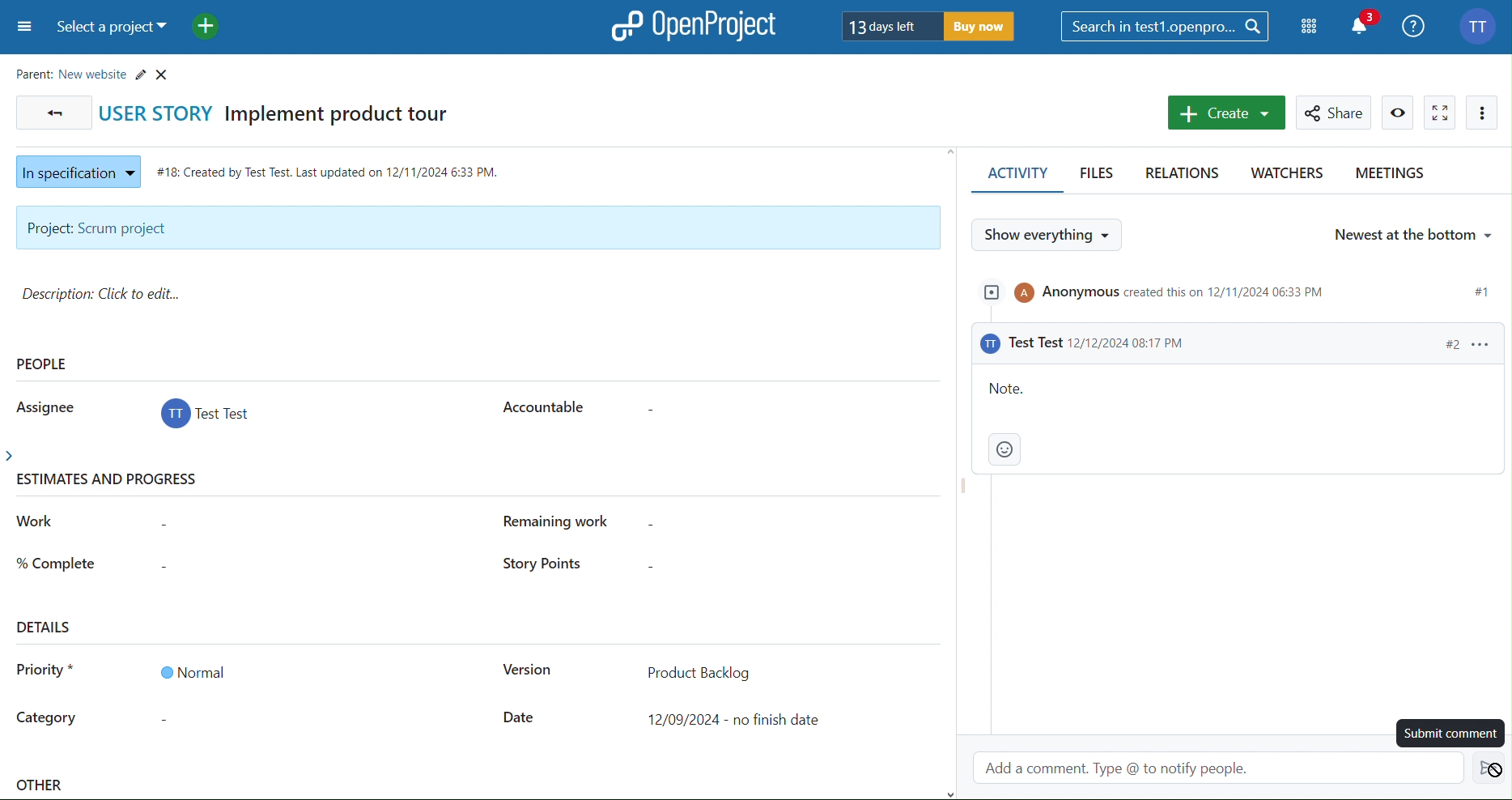 The height and width of the screenshot is (800, 1512). What do you see at coordinates (208, 416) in the screenshot?
I see `Account` at bounding box center [208, 416].